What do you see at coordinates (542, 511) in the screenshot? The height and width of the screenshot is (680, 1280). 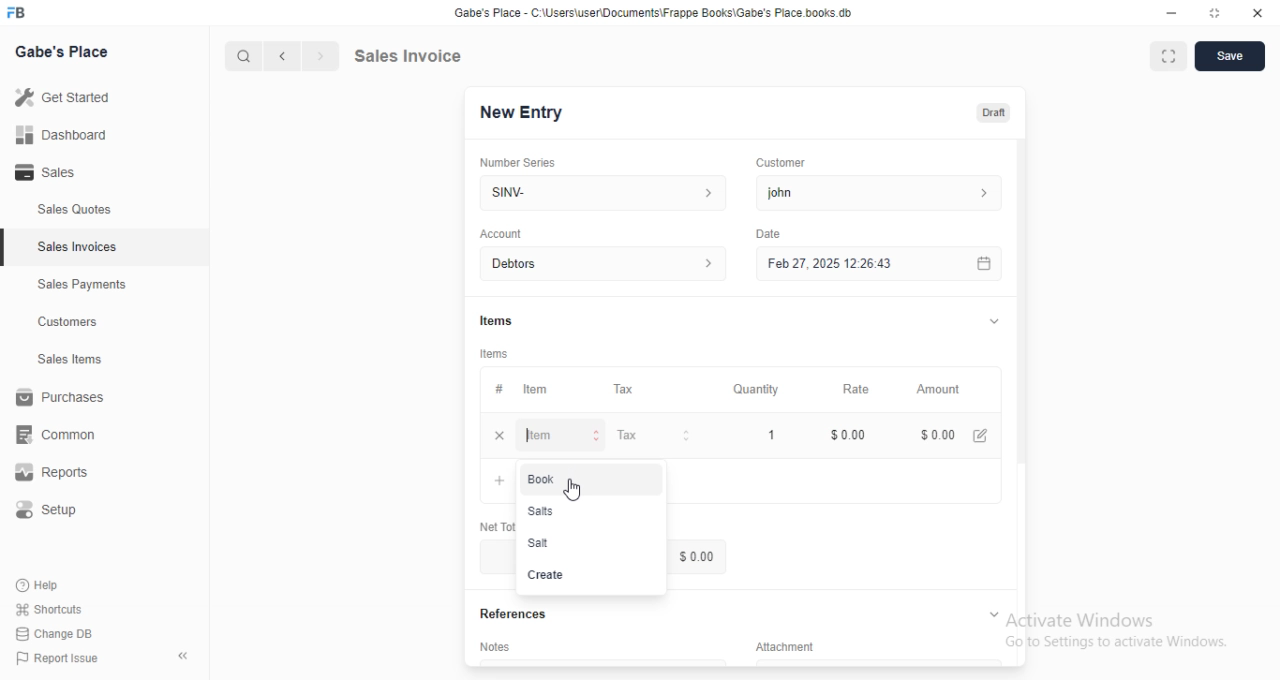 I see `Salts` at bounding box center [542, 511].